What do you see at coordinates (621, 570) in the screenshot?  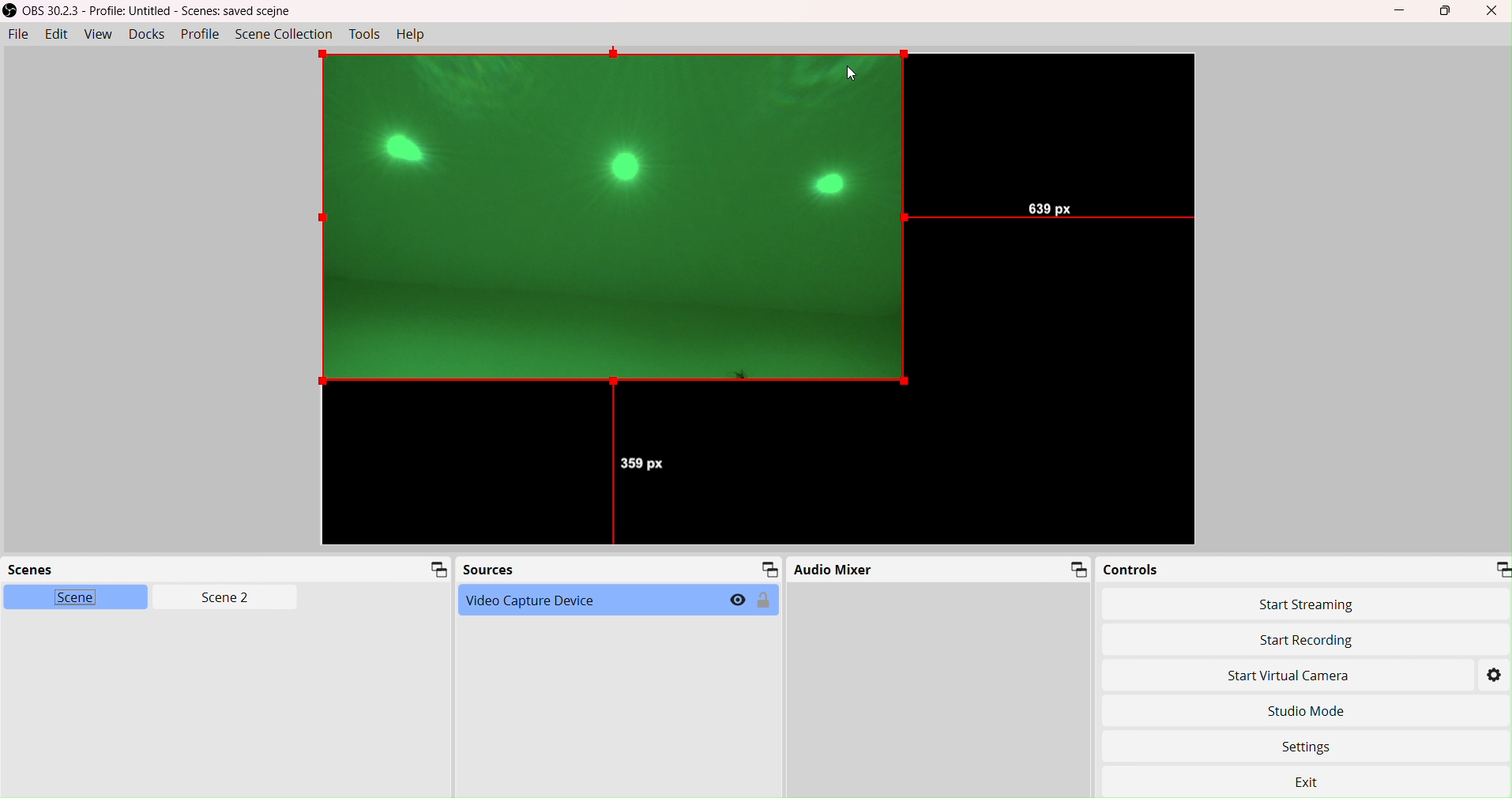 I see `Sources` at bounding box center [621, 570].